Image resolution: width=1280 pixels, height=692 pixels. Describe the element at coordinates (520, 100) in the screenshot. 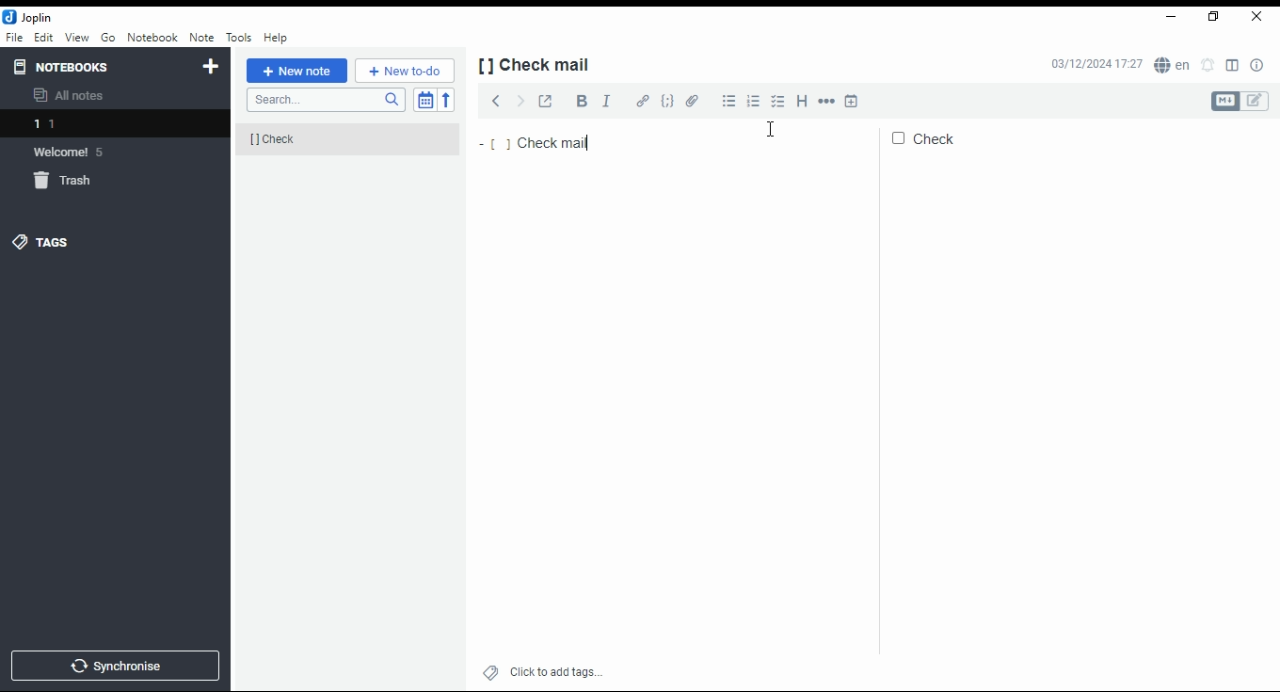

I see `next` at that location.